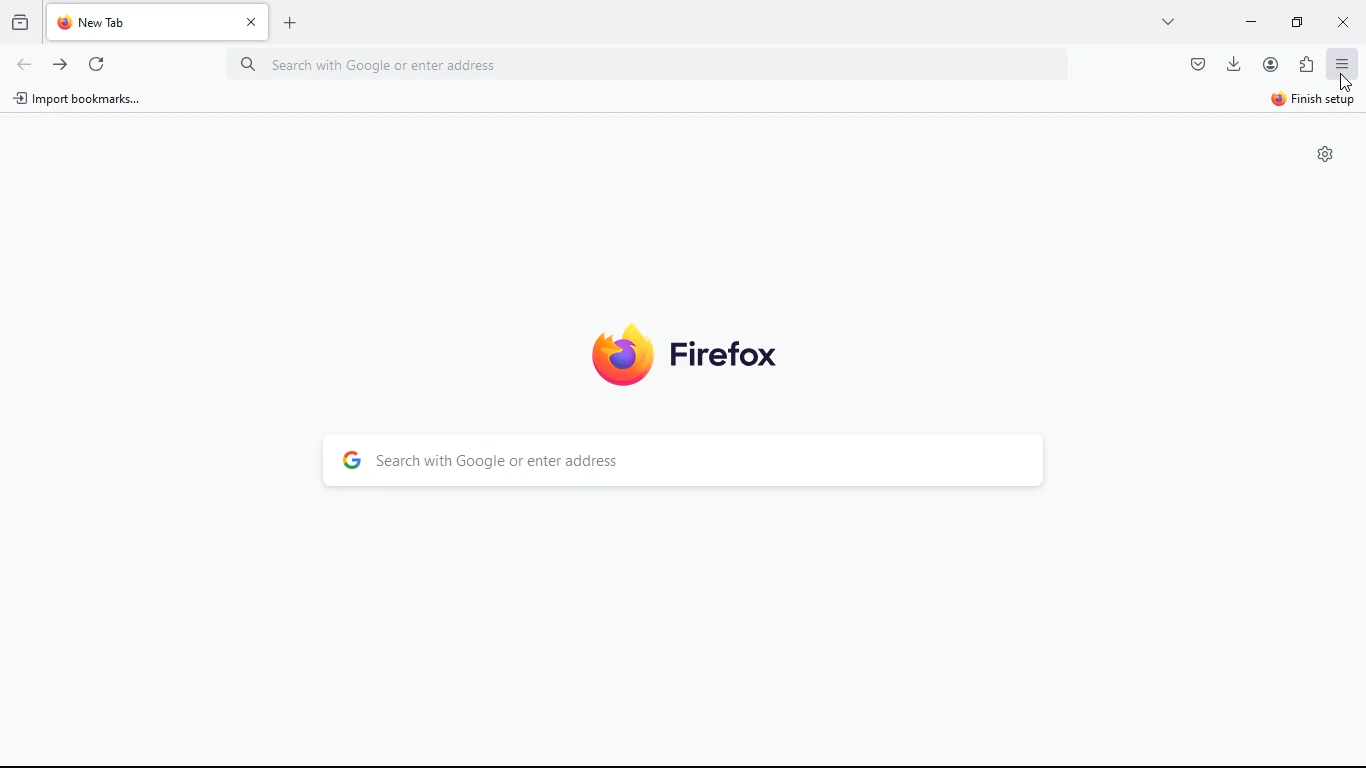 This screenshot has height=768, width=1366. I want to click on Cursor, so click(1345, 82).